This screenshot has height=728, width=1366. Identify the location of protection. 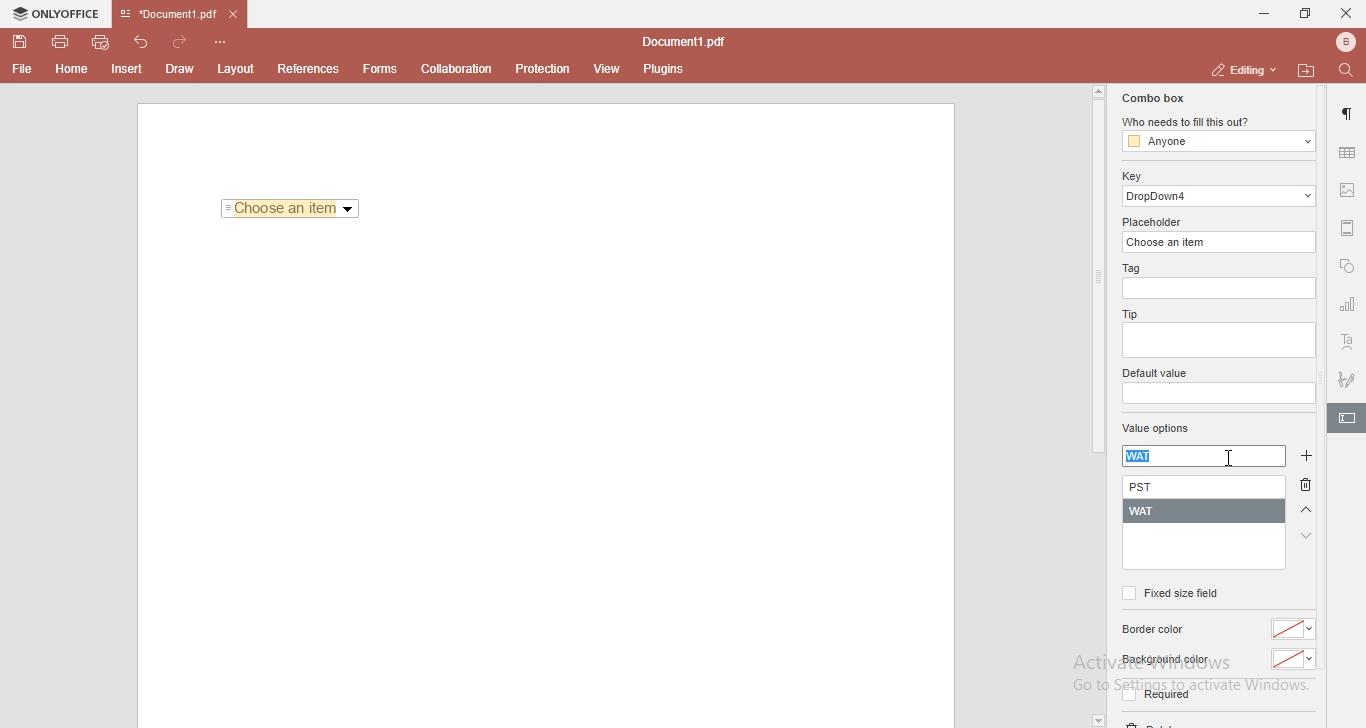
(543, 68).